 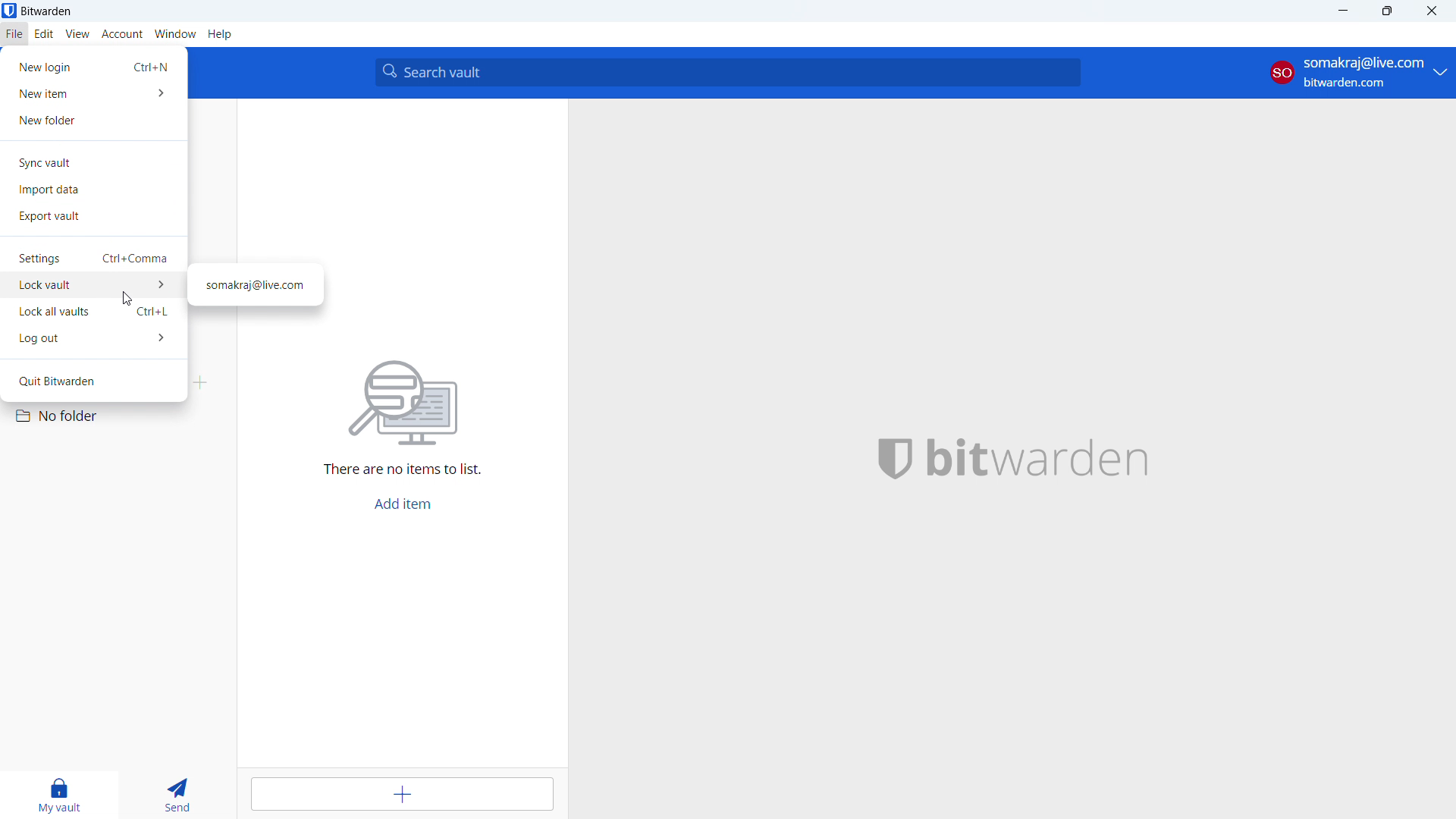 What do you see at coordinates (257, 285) in the screenshot?
I see `mail id` at bounding box center [257, 285].